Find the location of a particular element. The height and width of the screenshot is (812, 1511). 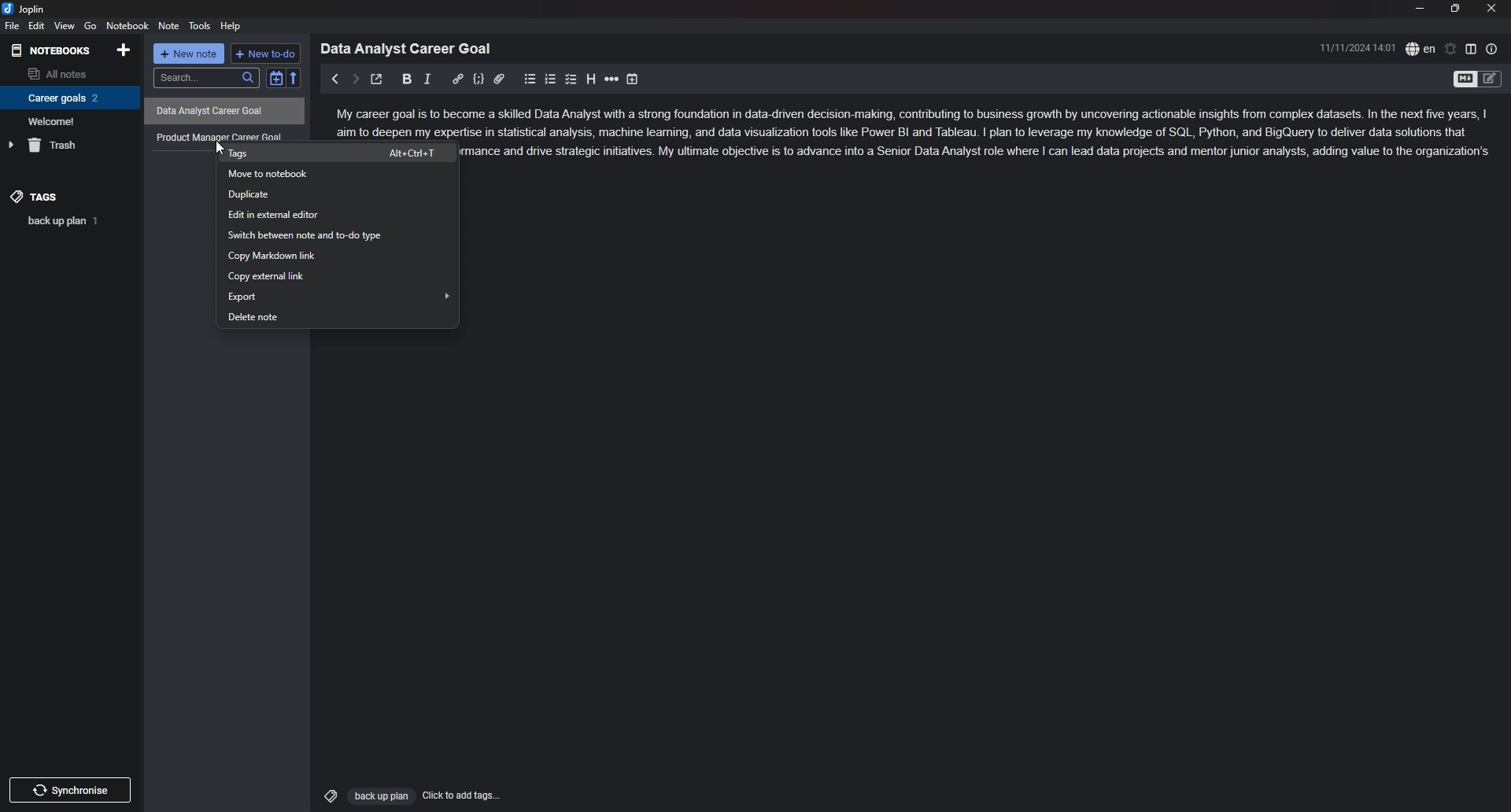

attachment is located at coordinates (499, 79).